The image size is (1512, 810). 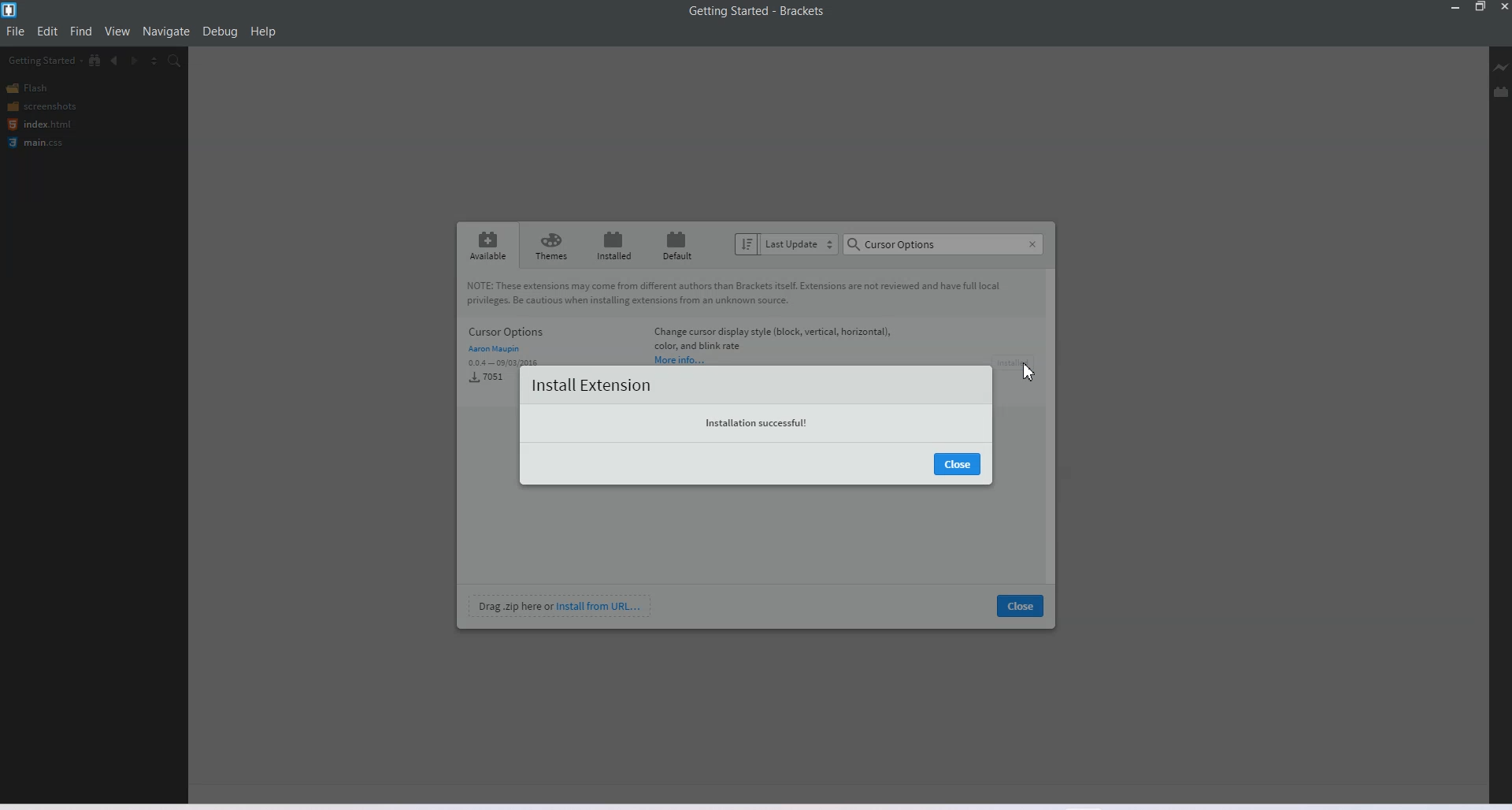 I want to click on cursor options, so click(x=943, y=244).